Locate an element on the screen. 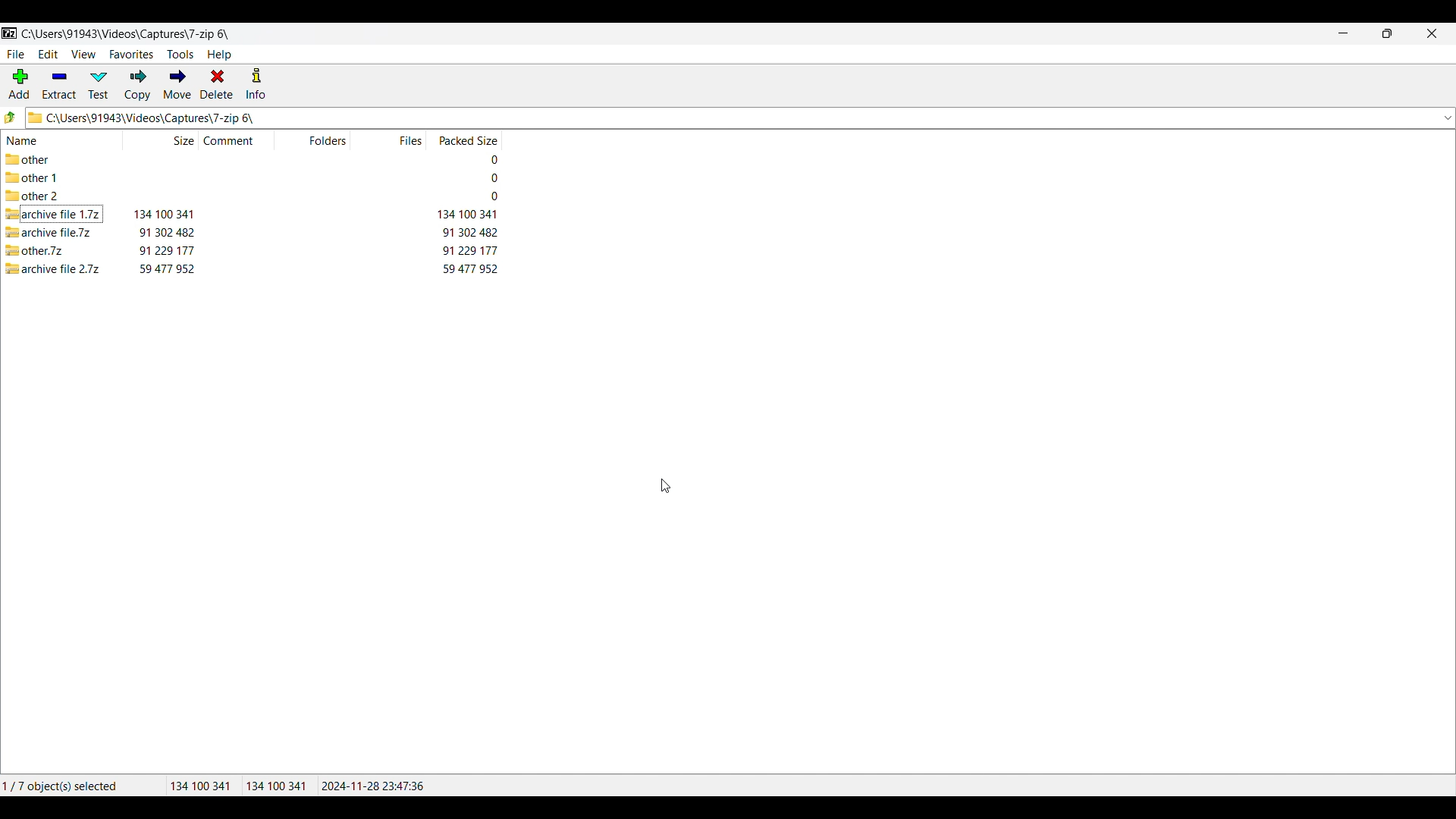 The height and width of the screenshot is (819, 1456). archive file.7z is located at coordinates (52, 232).